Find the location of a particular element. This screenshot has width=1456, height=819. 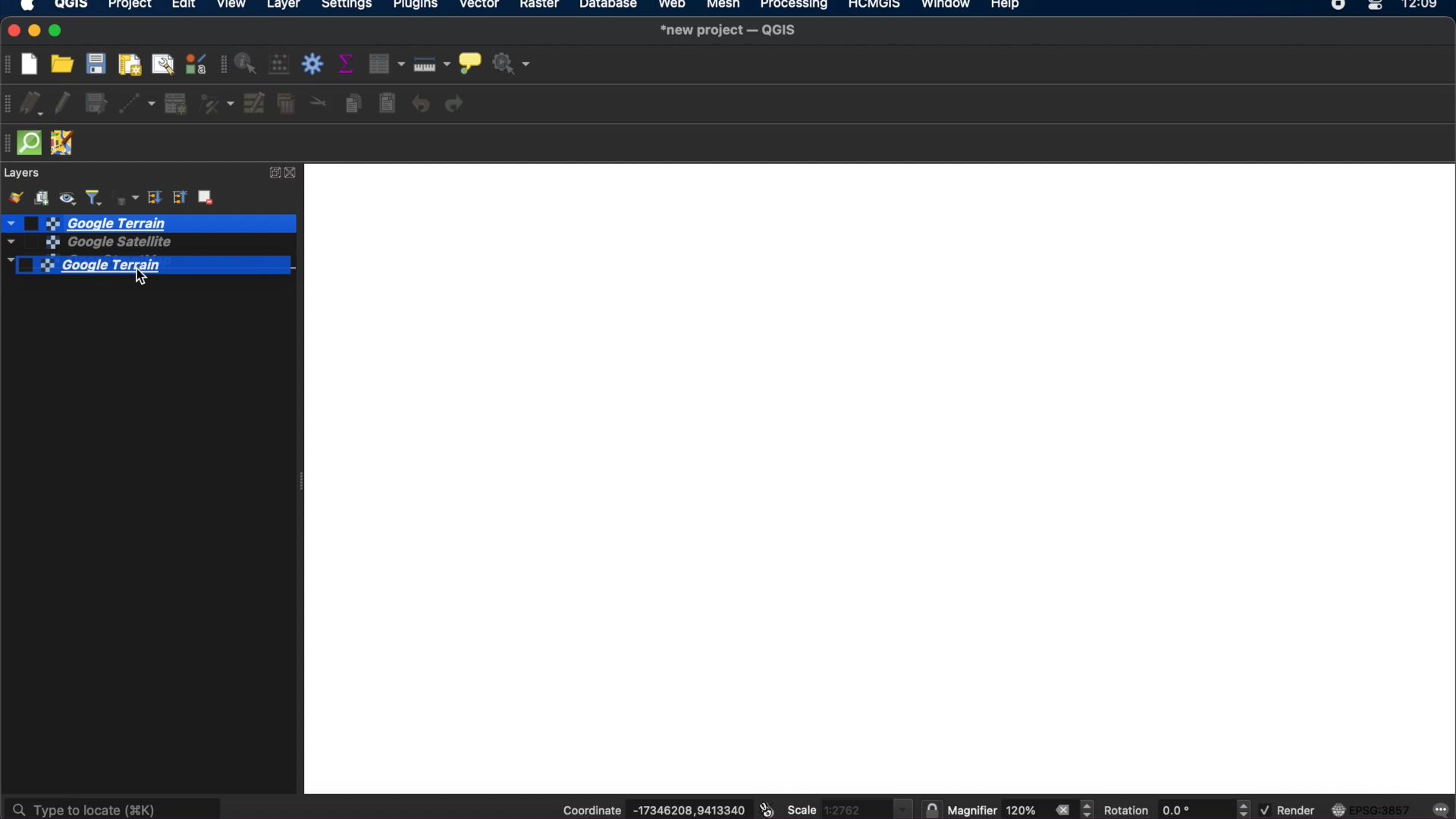

close is located at coordinates (1062, 810).